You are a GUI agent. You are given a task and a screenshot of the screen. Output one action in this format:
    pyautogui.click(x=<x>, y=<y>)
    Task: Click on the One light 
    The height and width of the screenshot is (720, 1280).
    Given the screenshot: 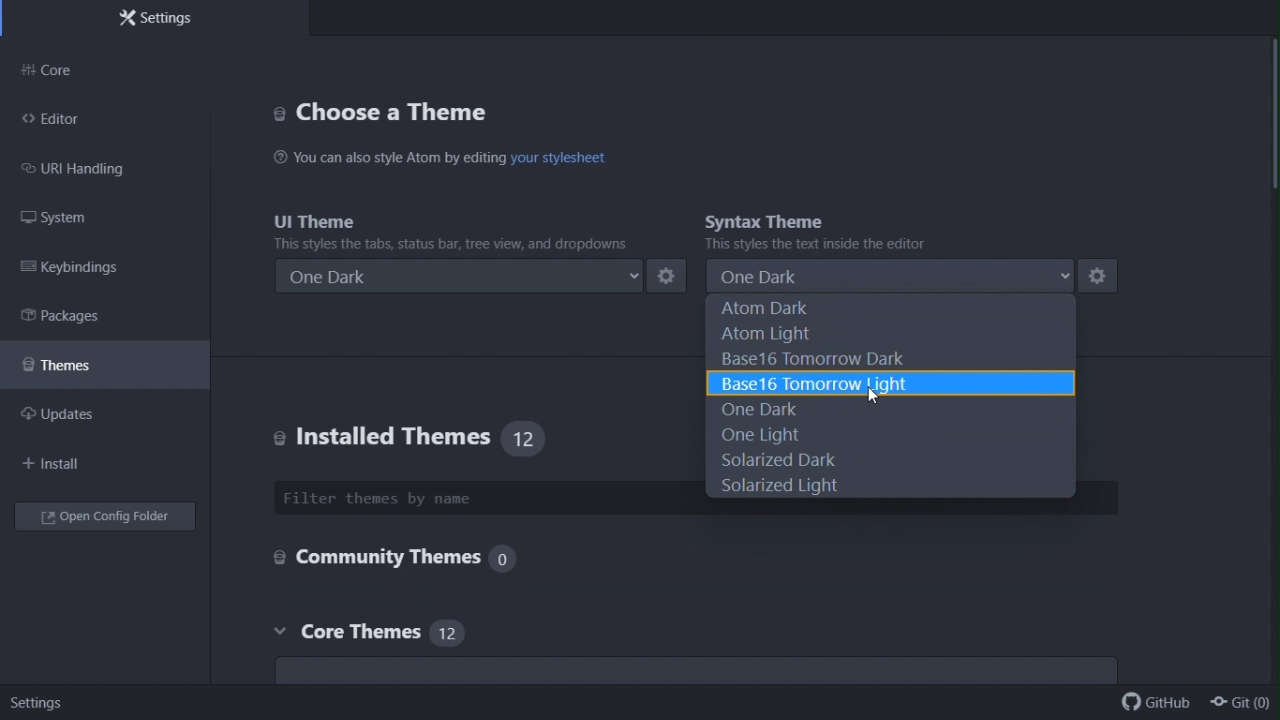 What is the action you would take?
    pyautogui.click(x=891, y=438)
    